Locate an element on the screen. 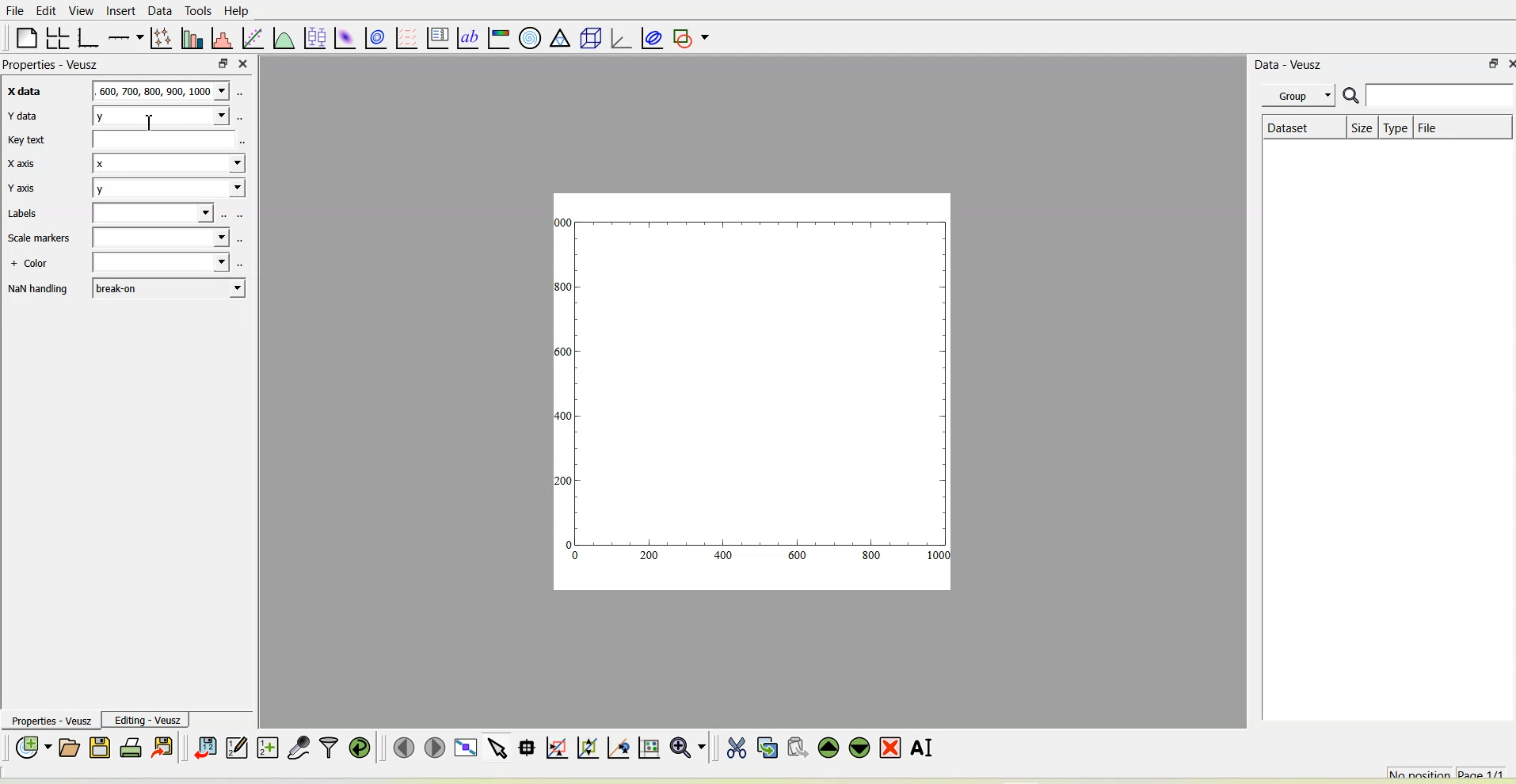  close is located at coordinates (1506, 63).